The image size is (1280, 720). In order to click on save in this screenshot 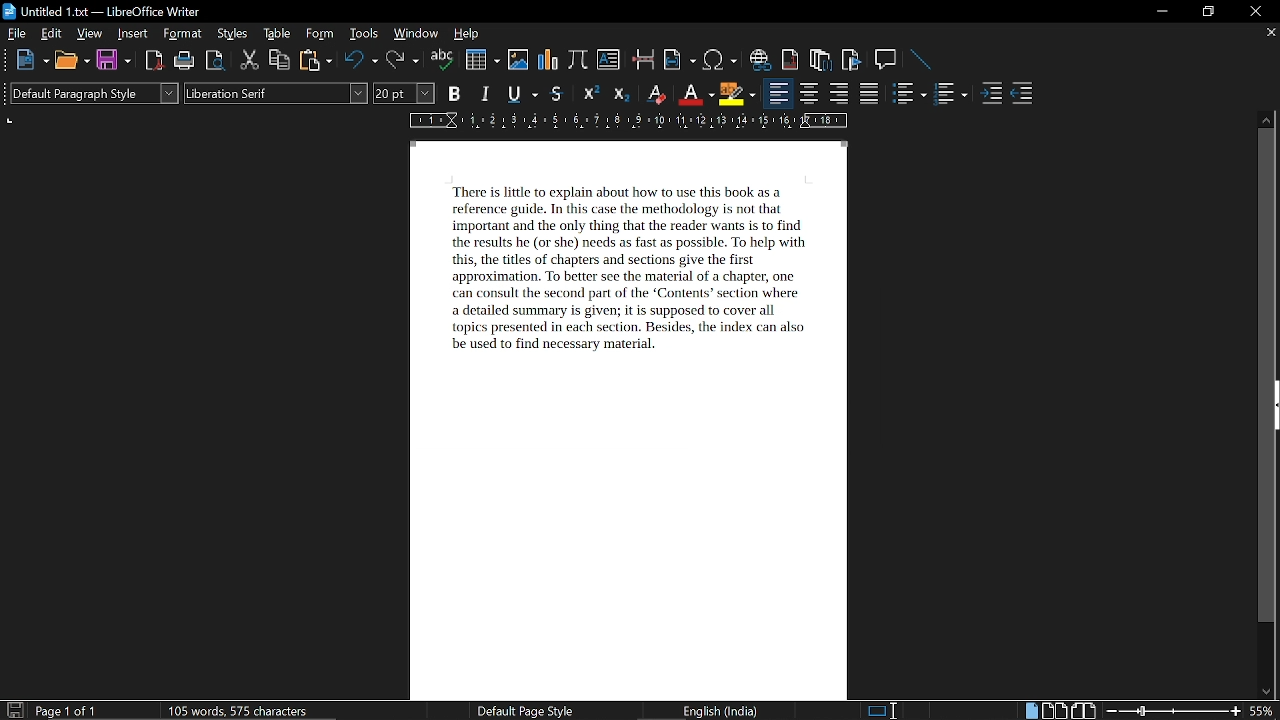, I will do `click(14, 709)`.